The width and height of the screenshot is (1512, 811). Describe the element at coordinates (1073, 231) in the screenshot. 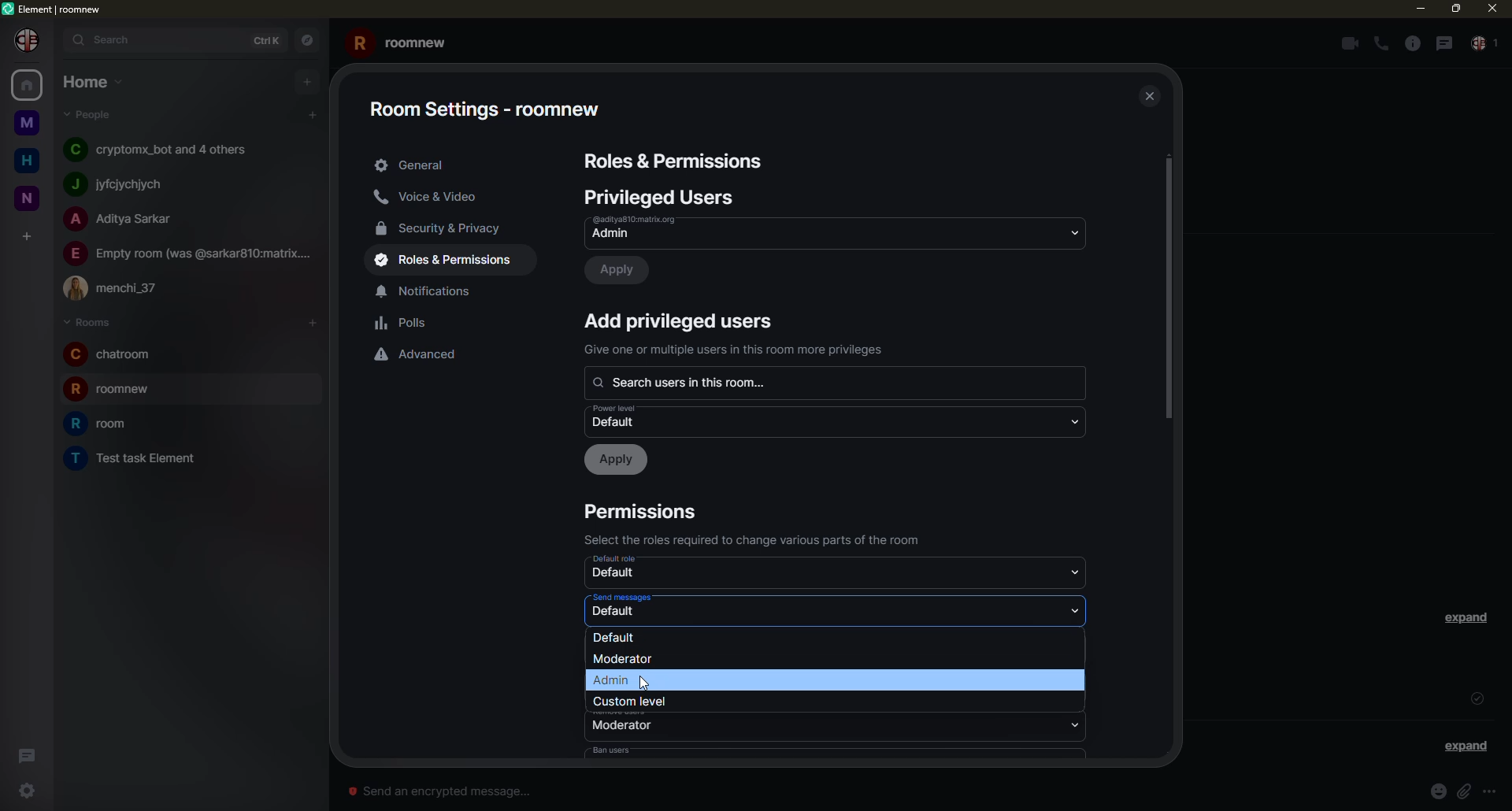

I see `drop` at that location.